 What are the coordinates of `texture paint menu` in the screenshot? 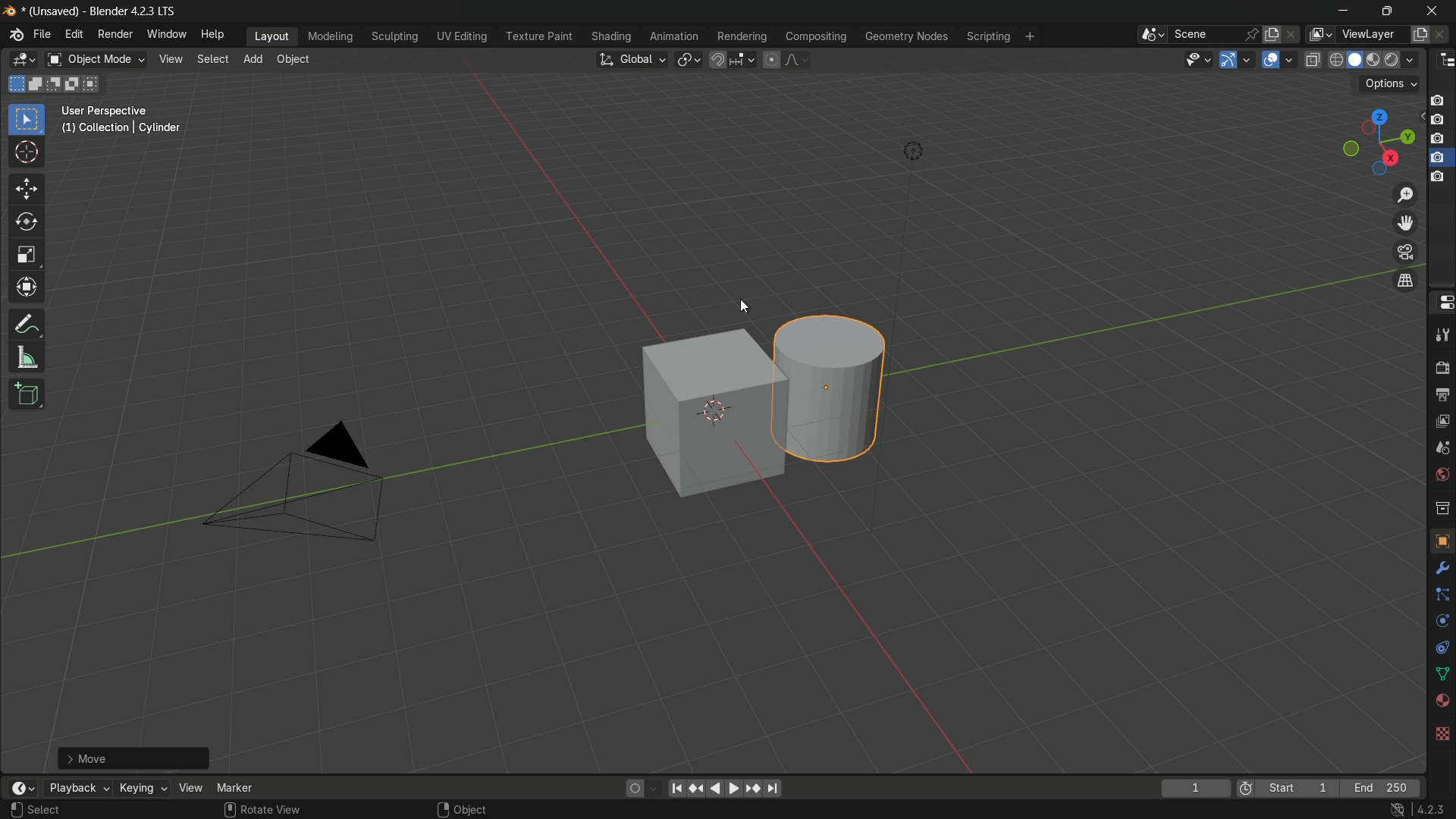 It's located at (540, 36).